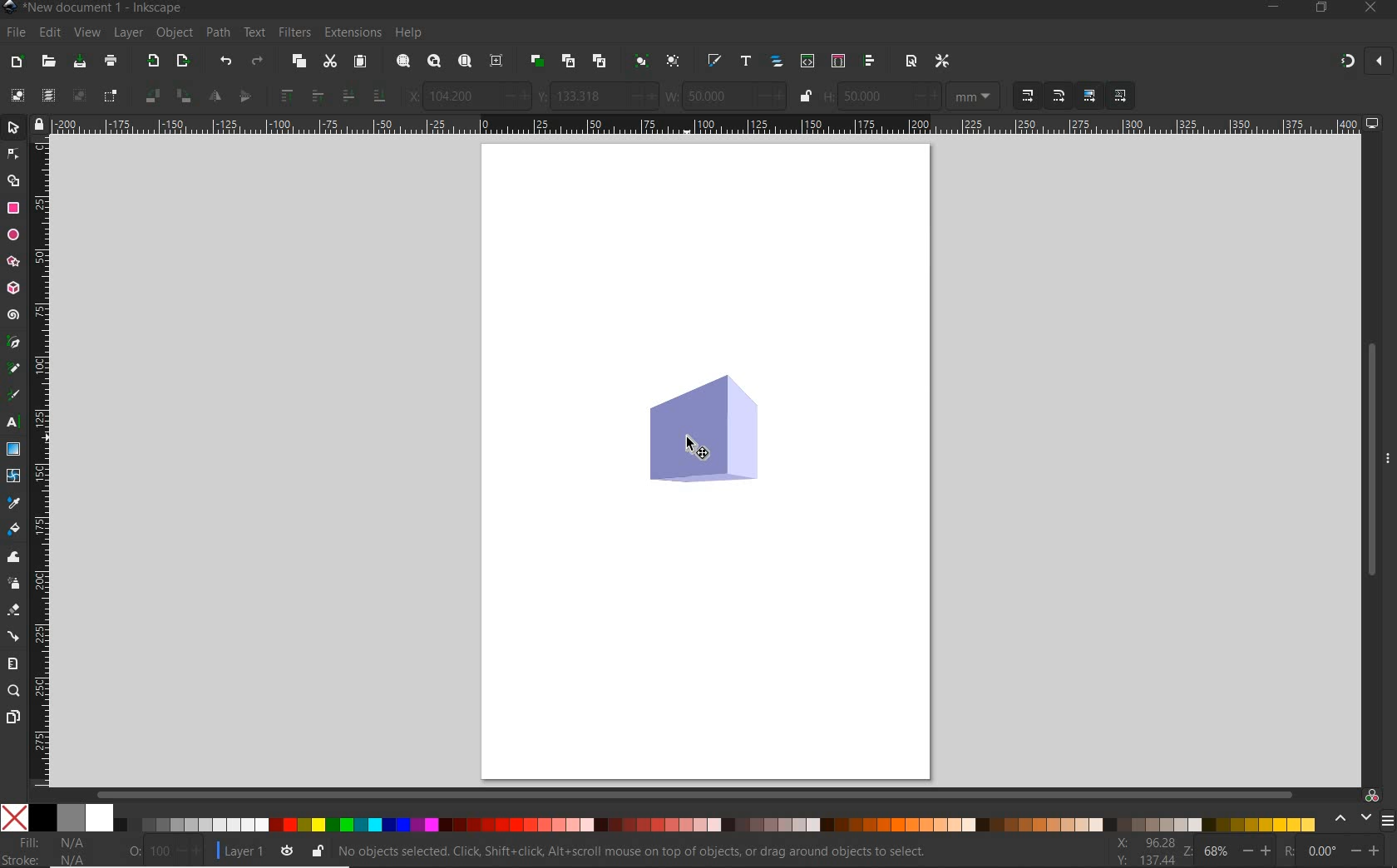 The height and width of the screenshot is (868, 1397). Describe the element at coordinates (946, 62) in the screenshot. I see `open preferences` at that location.